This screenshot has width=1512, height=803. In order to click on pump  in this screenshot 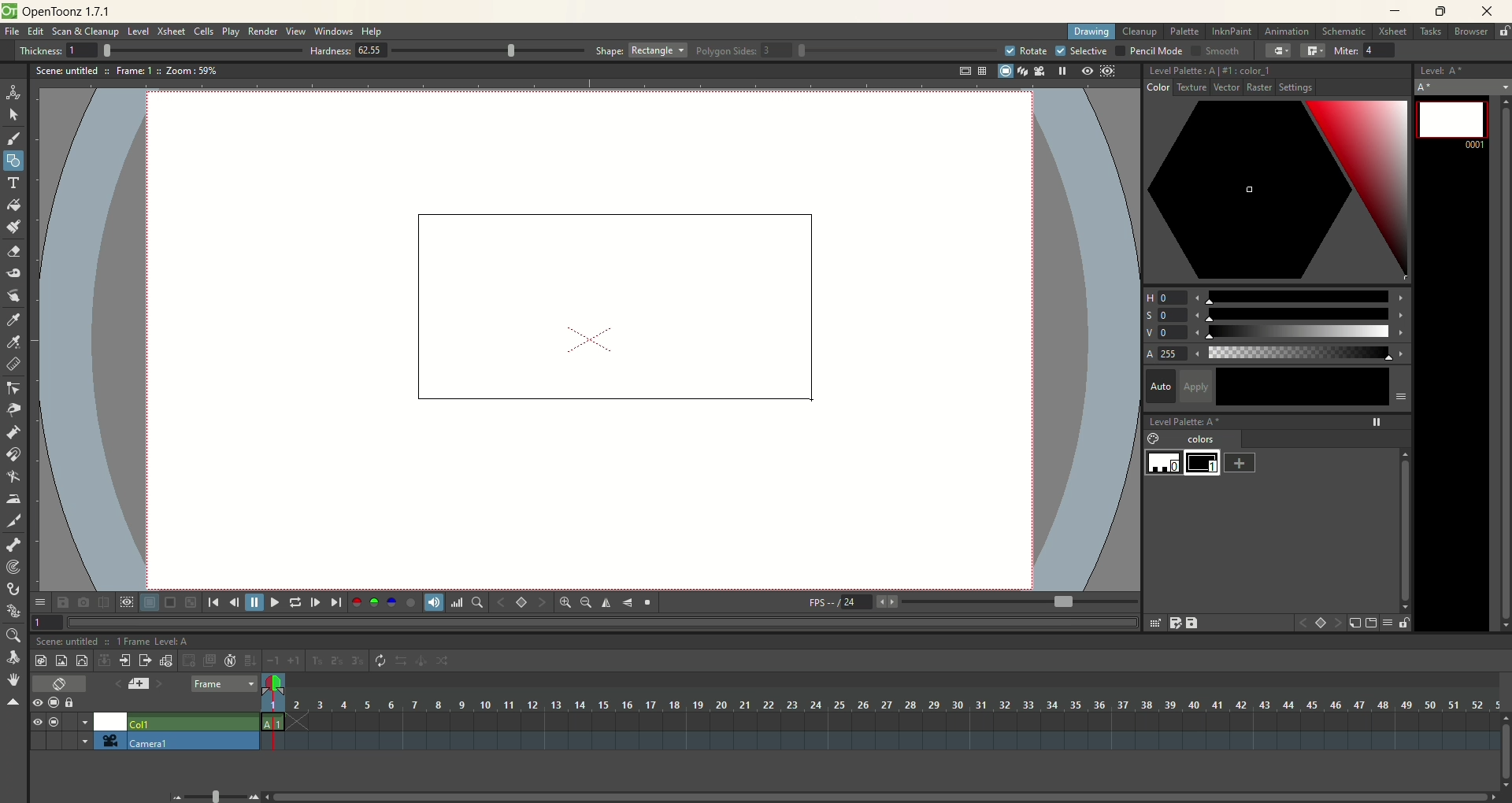, I will do `click(13, 431)`.